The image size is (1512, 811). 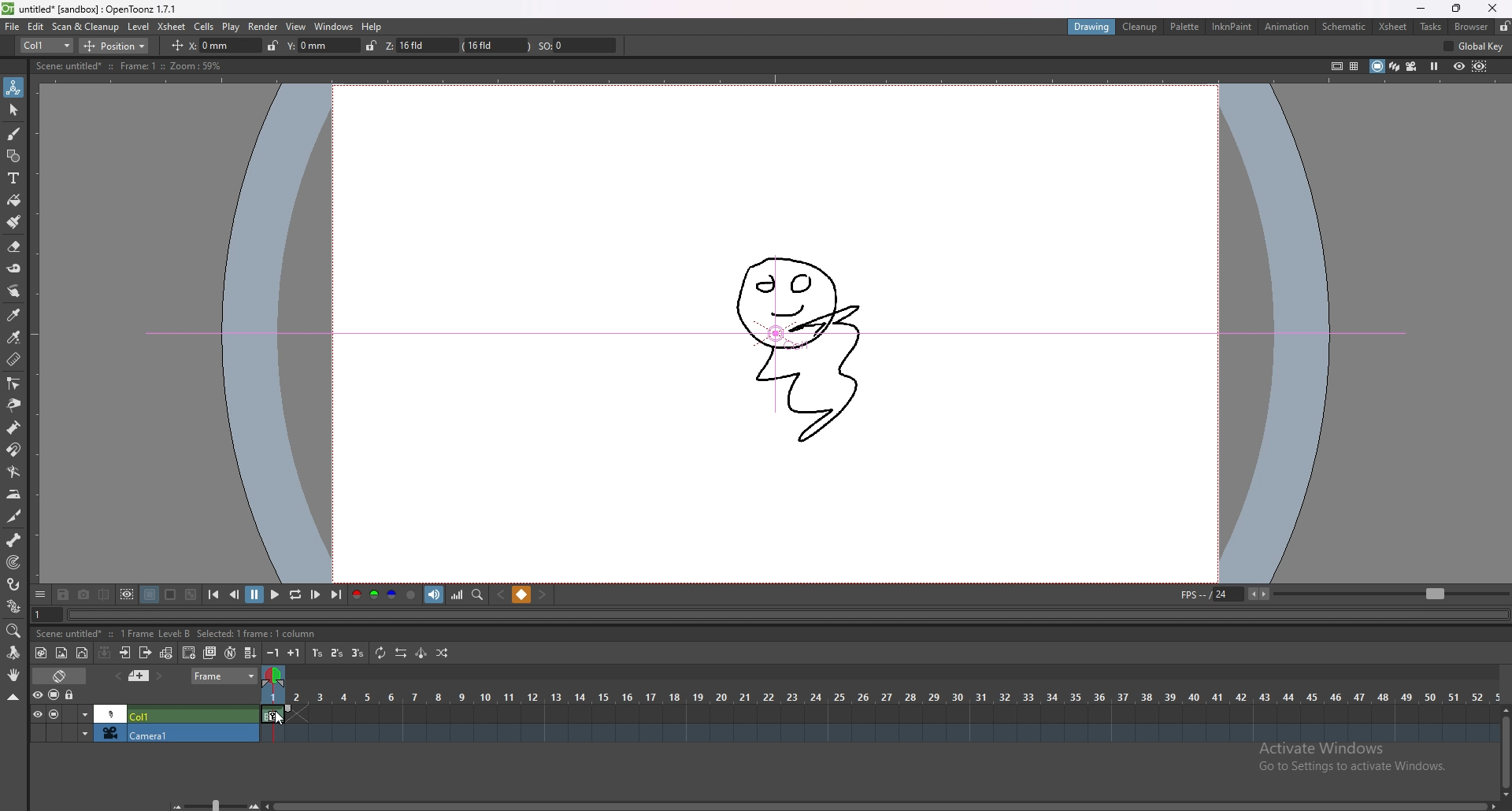 I want to click on erase, so click(x=14, y=247).